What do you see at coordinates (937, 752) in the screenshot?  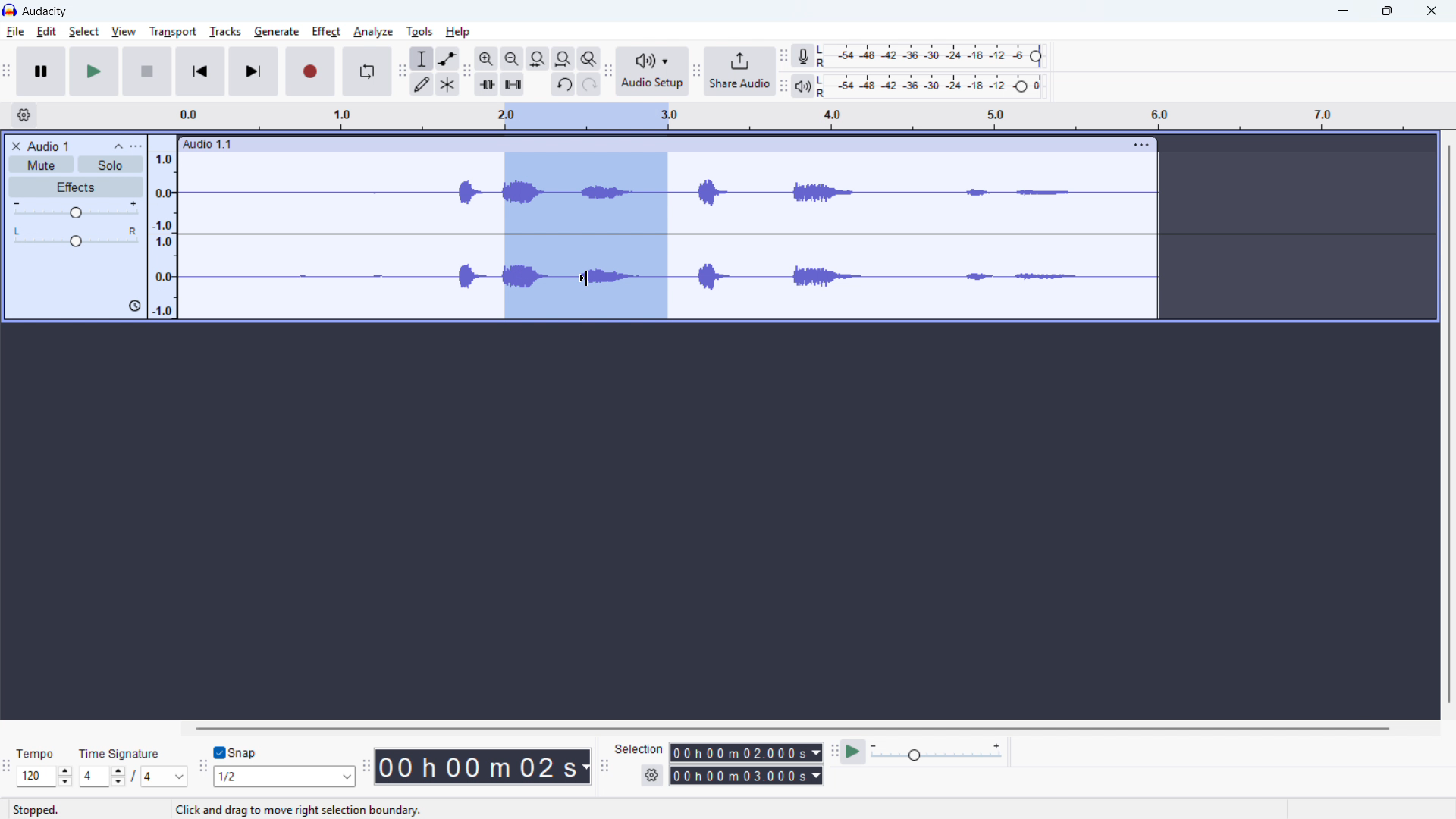 I see `playback speed` at bounding box center [937, 752].